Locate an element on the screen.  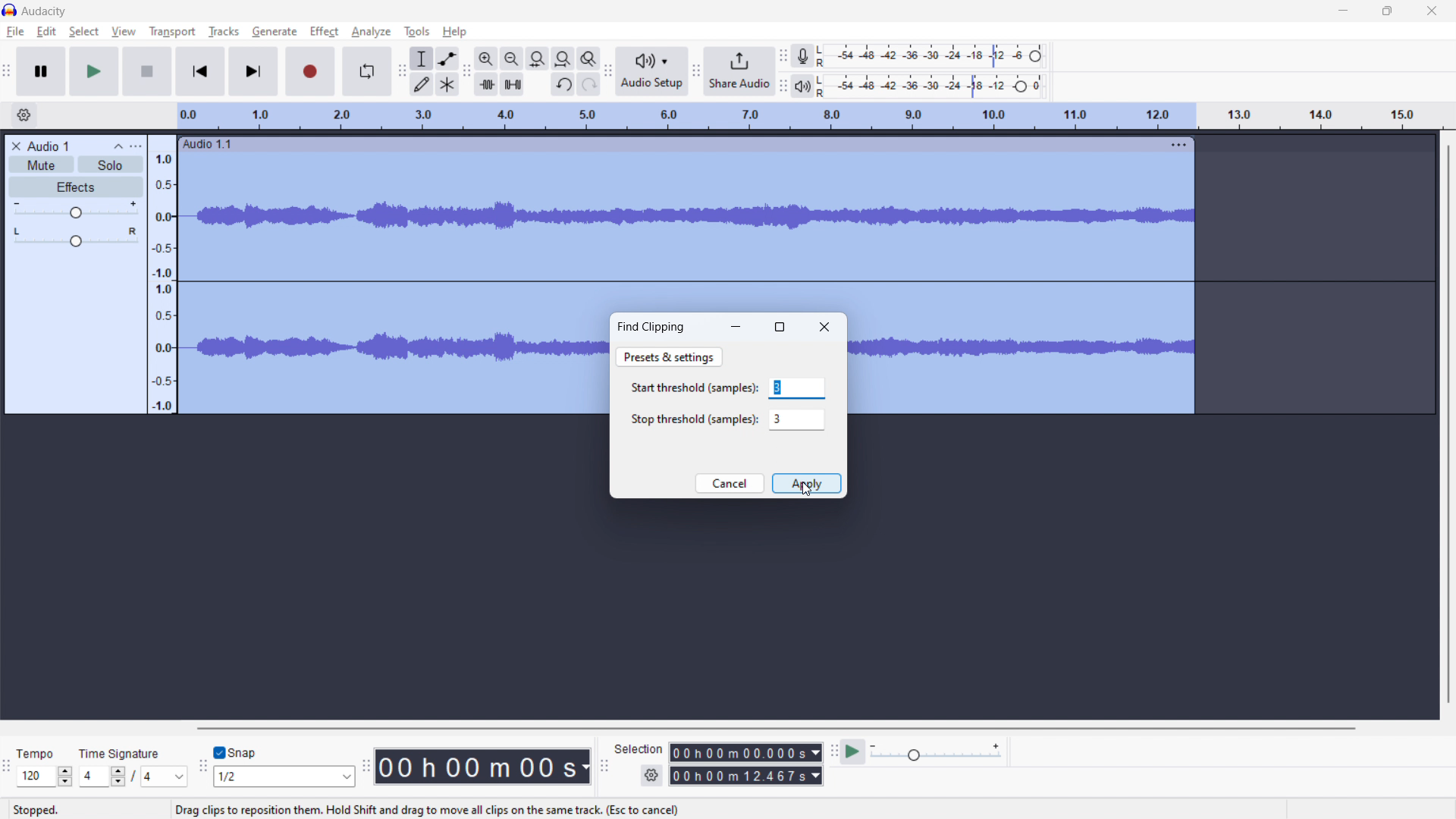
toggle snap is located at coordinates (237, 753).